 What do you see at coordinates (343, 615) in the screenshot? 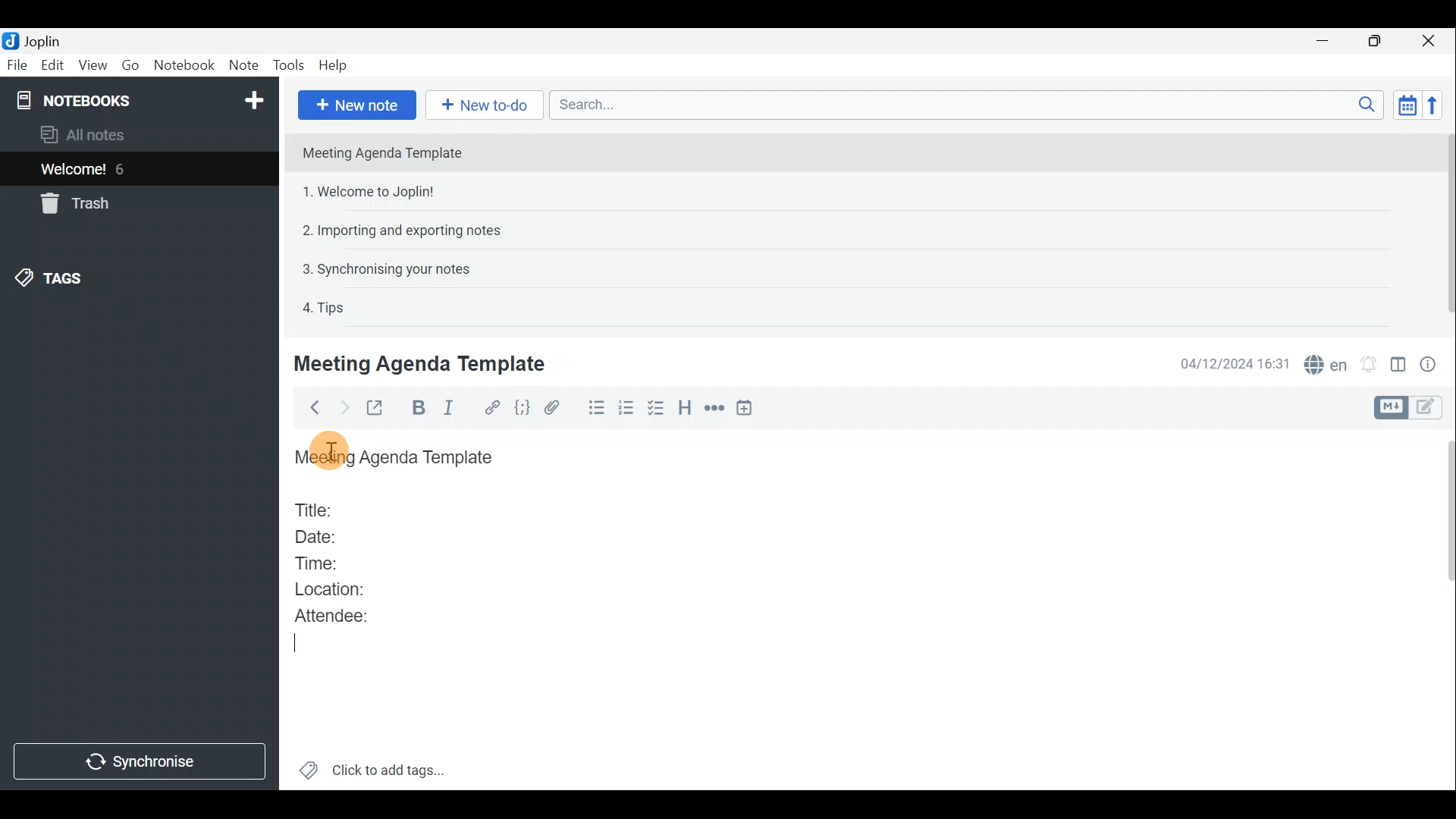
I see `Attendee:` at bounding box center [343, 615].